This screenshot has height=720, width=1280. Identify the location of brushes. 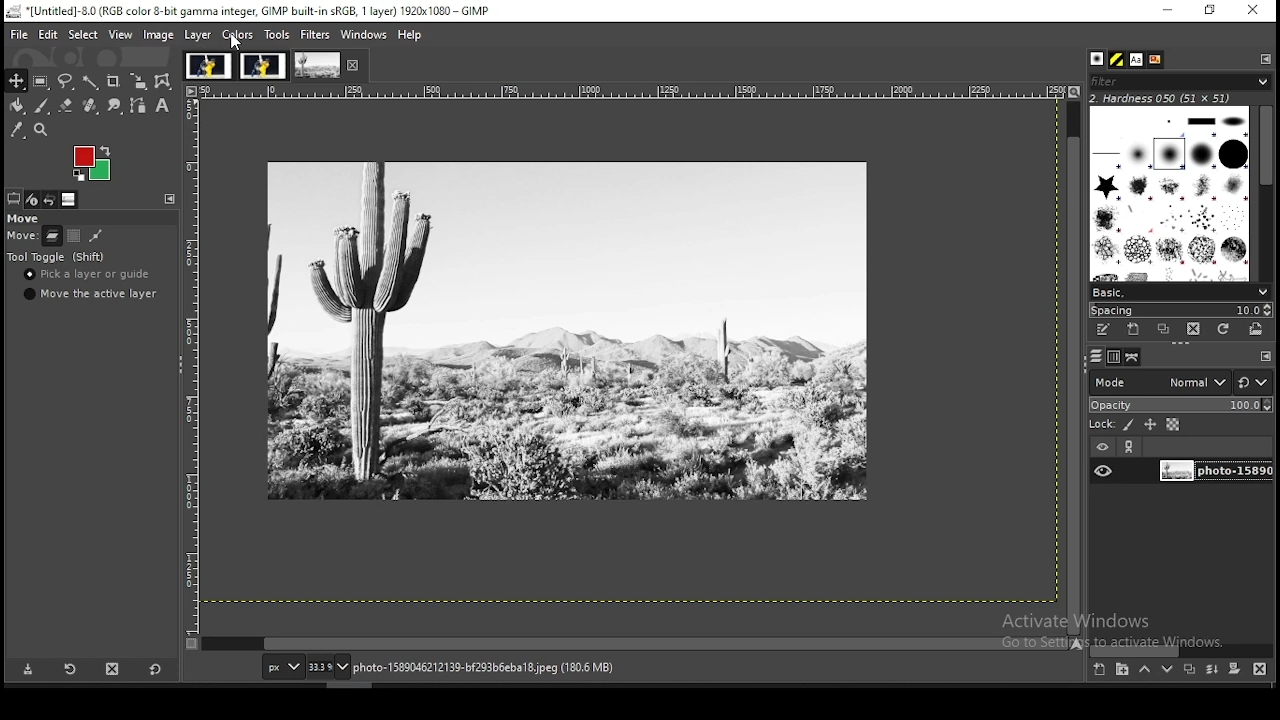
(1099, 59).